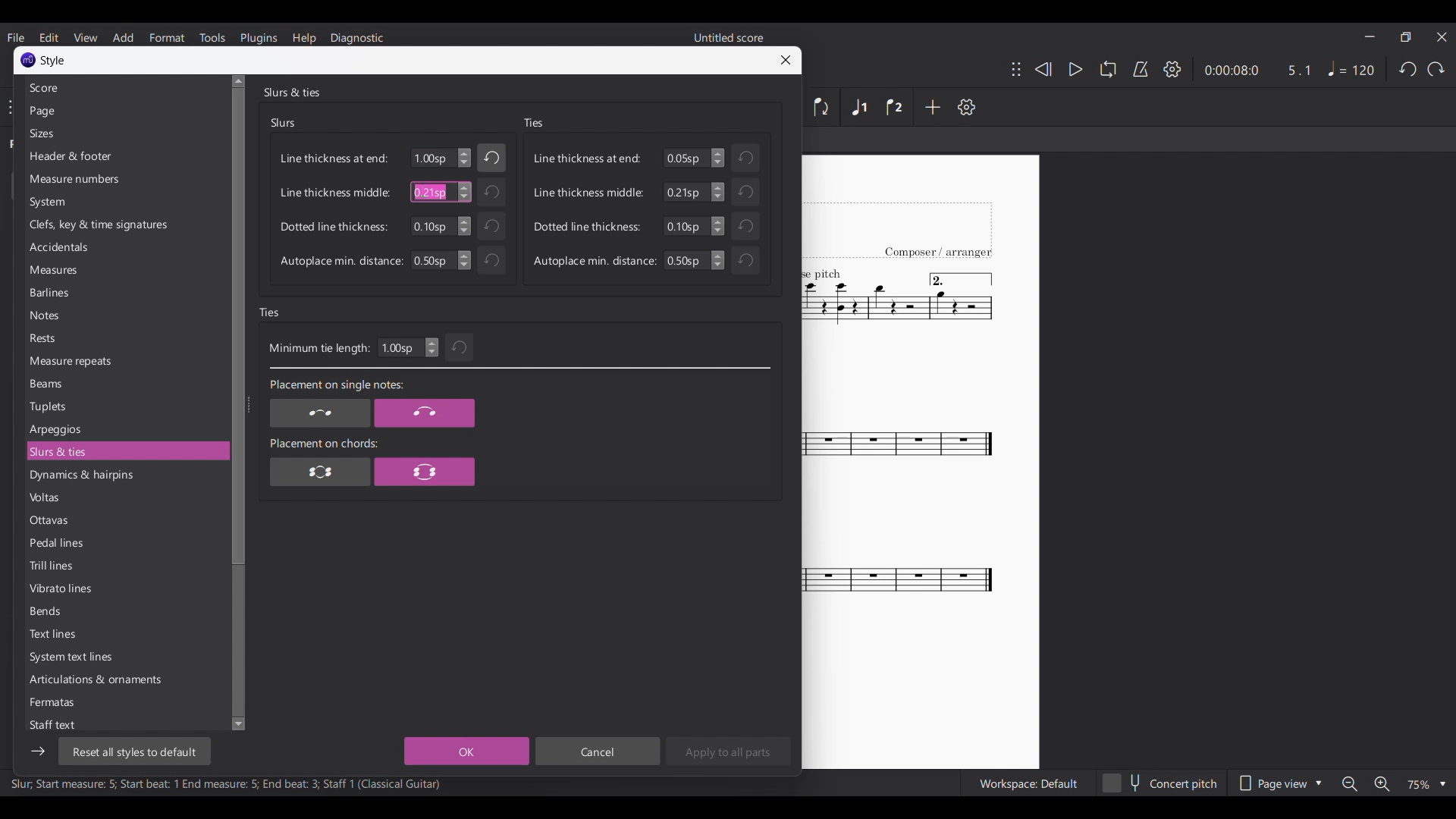  I want to click on Plugins menu, so click(259, 37).